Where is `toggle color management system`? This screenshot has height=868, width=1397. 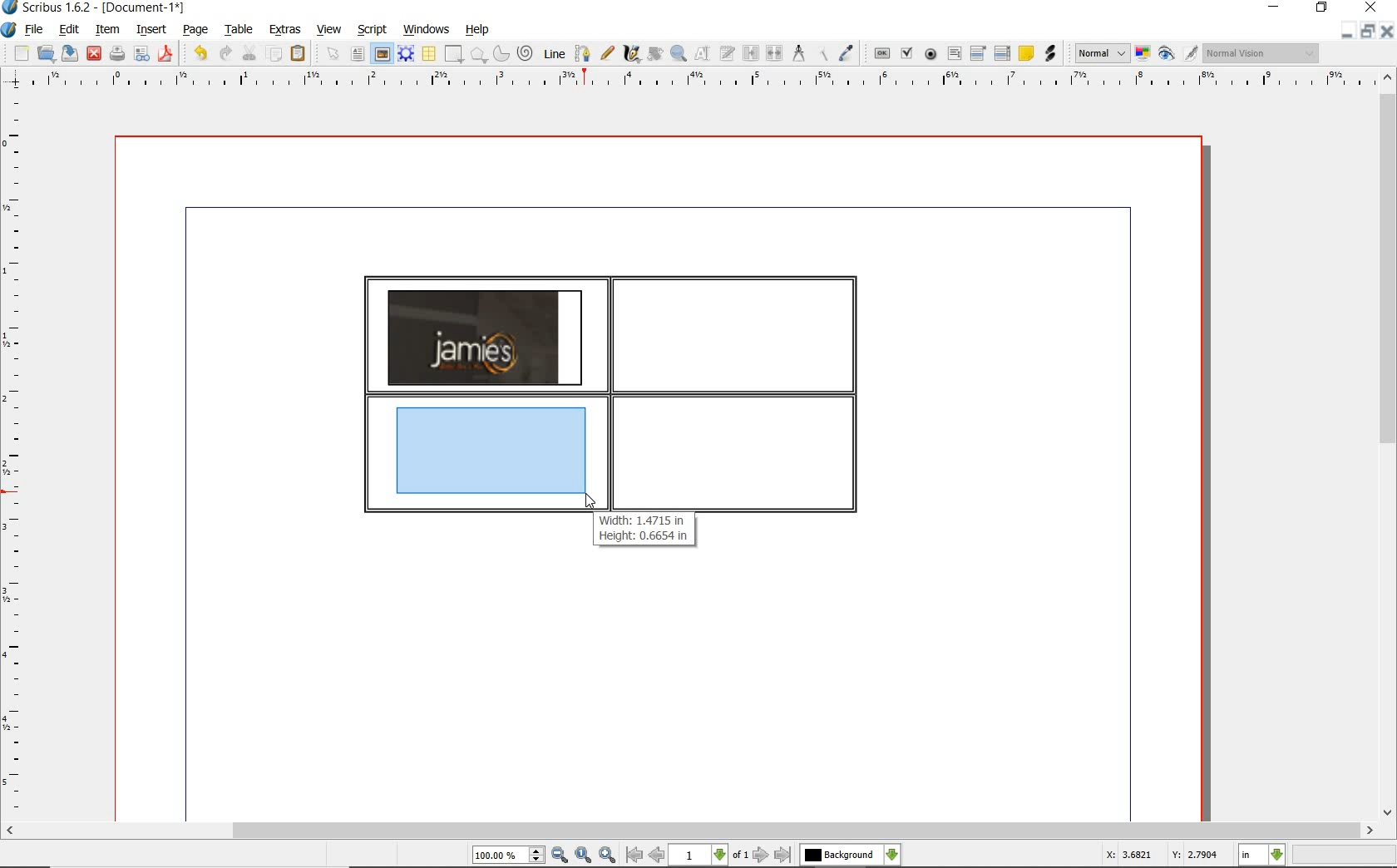
toggle color management system is located at coordinates (1144, 55).